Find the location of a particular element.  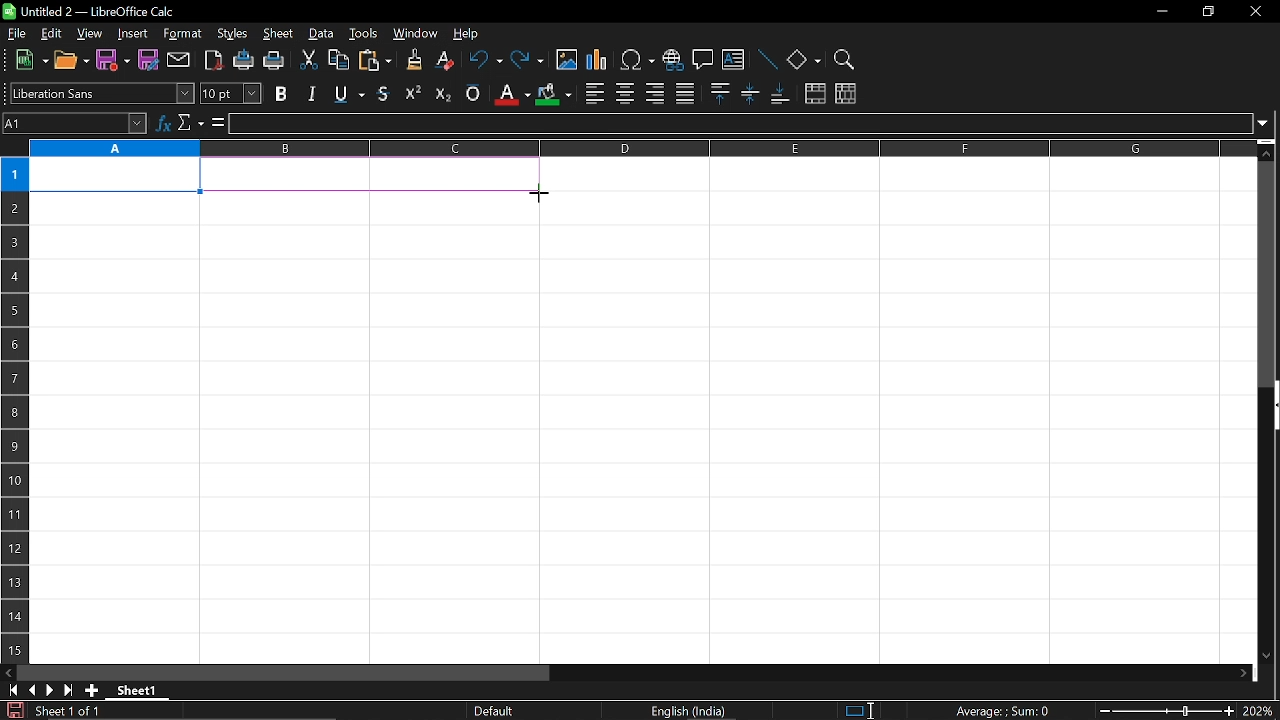

center vertically is located at coordinates (750, 95).